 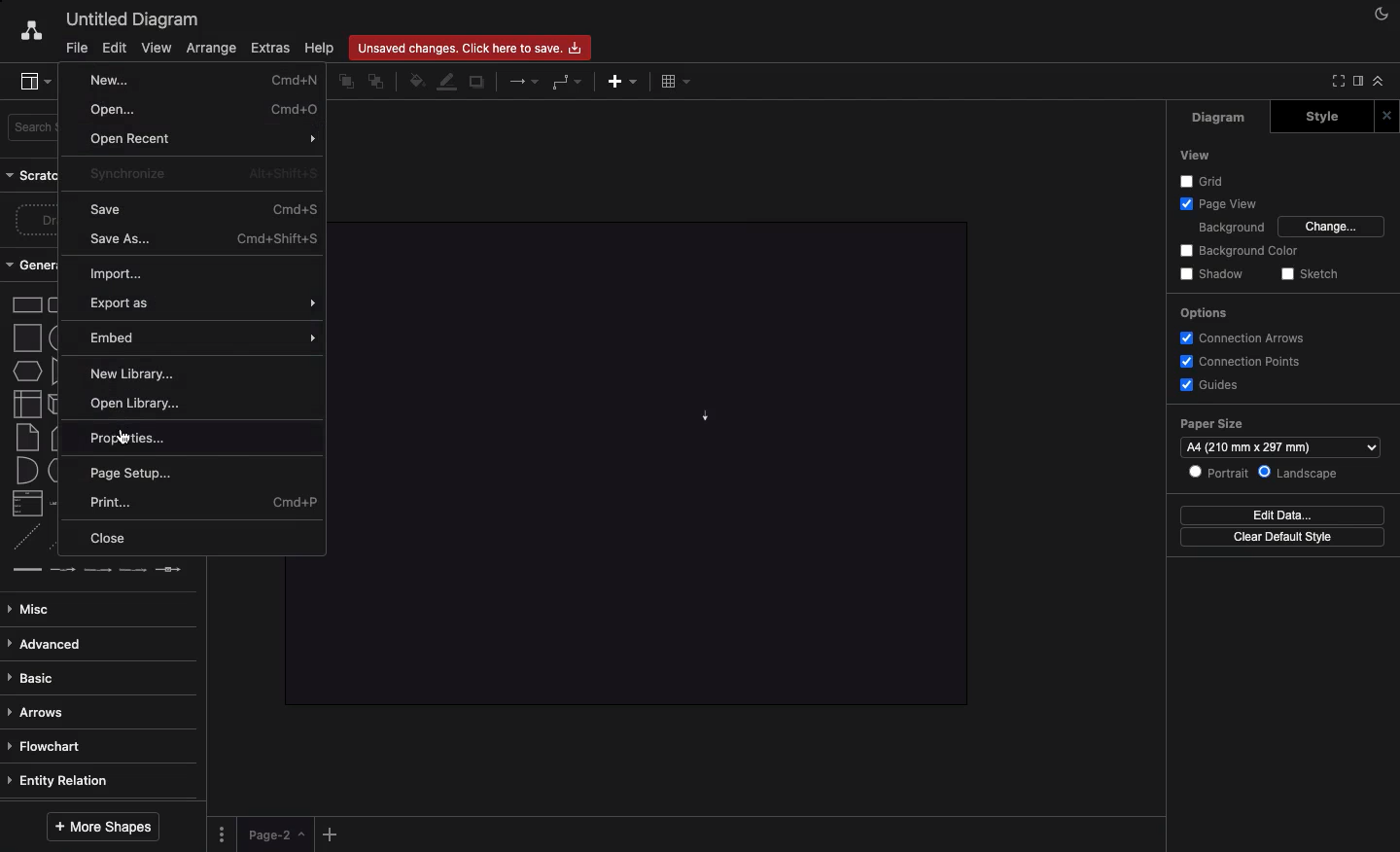 I want to click on Sidebar, so click(x=28, y=79).